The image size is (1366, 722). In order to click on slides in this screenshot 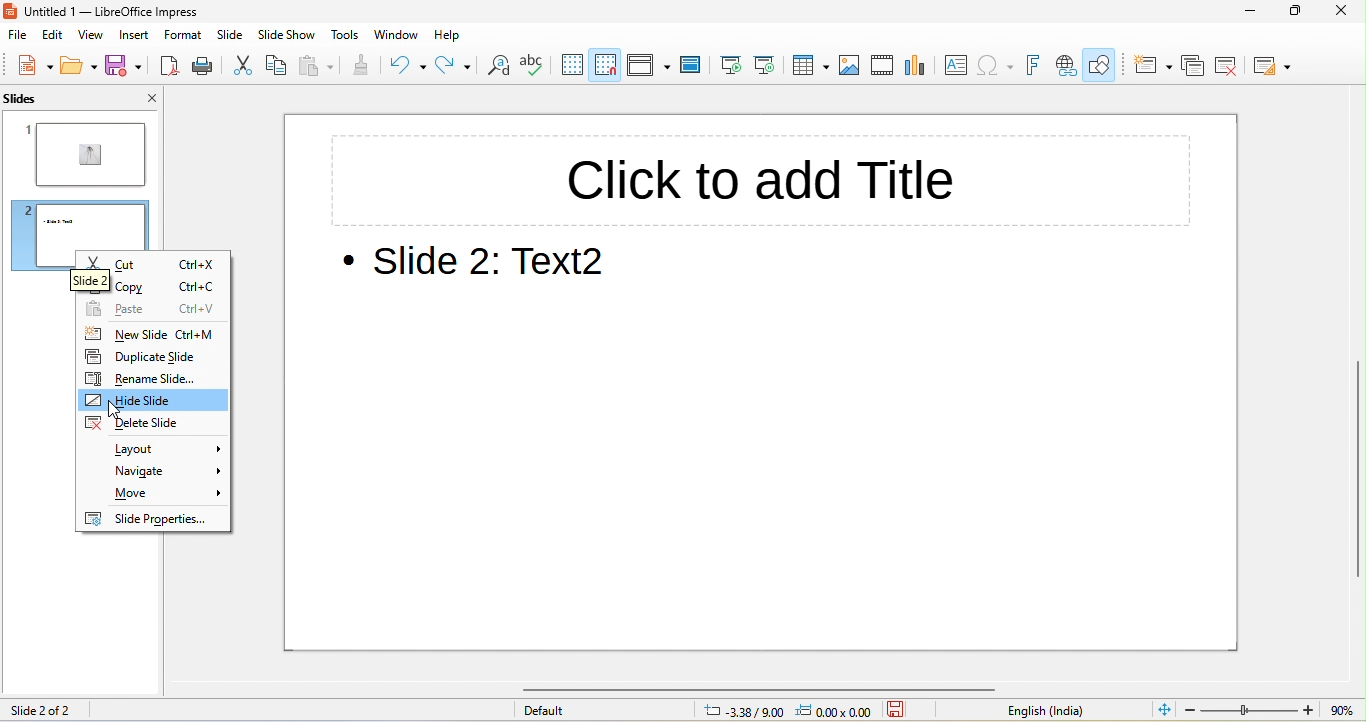, I will do `click(44, 99)`.